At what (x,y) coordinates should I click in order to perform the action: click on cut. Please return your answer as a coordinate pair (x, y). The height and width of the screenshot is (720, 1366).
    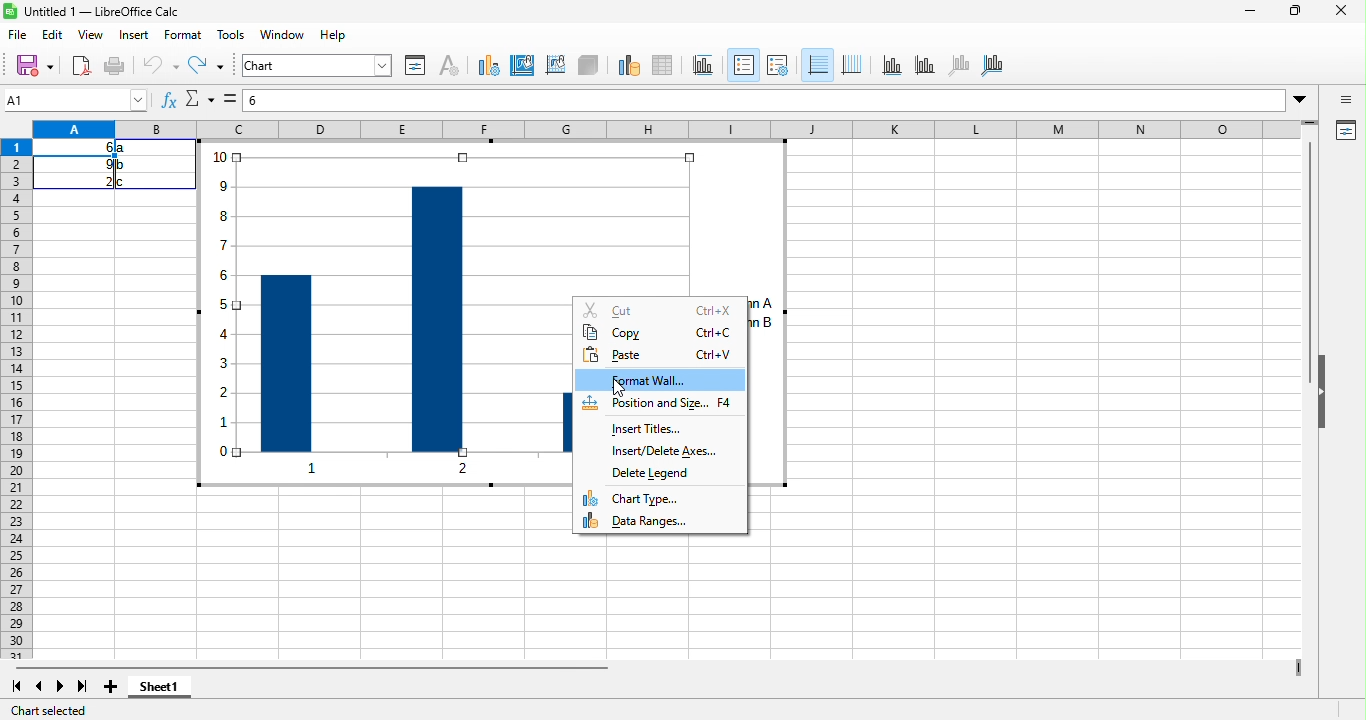
    Looking at the image, I should click on (658, 308).